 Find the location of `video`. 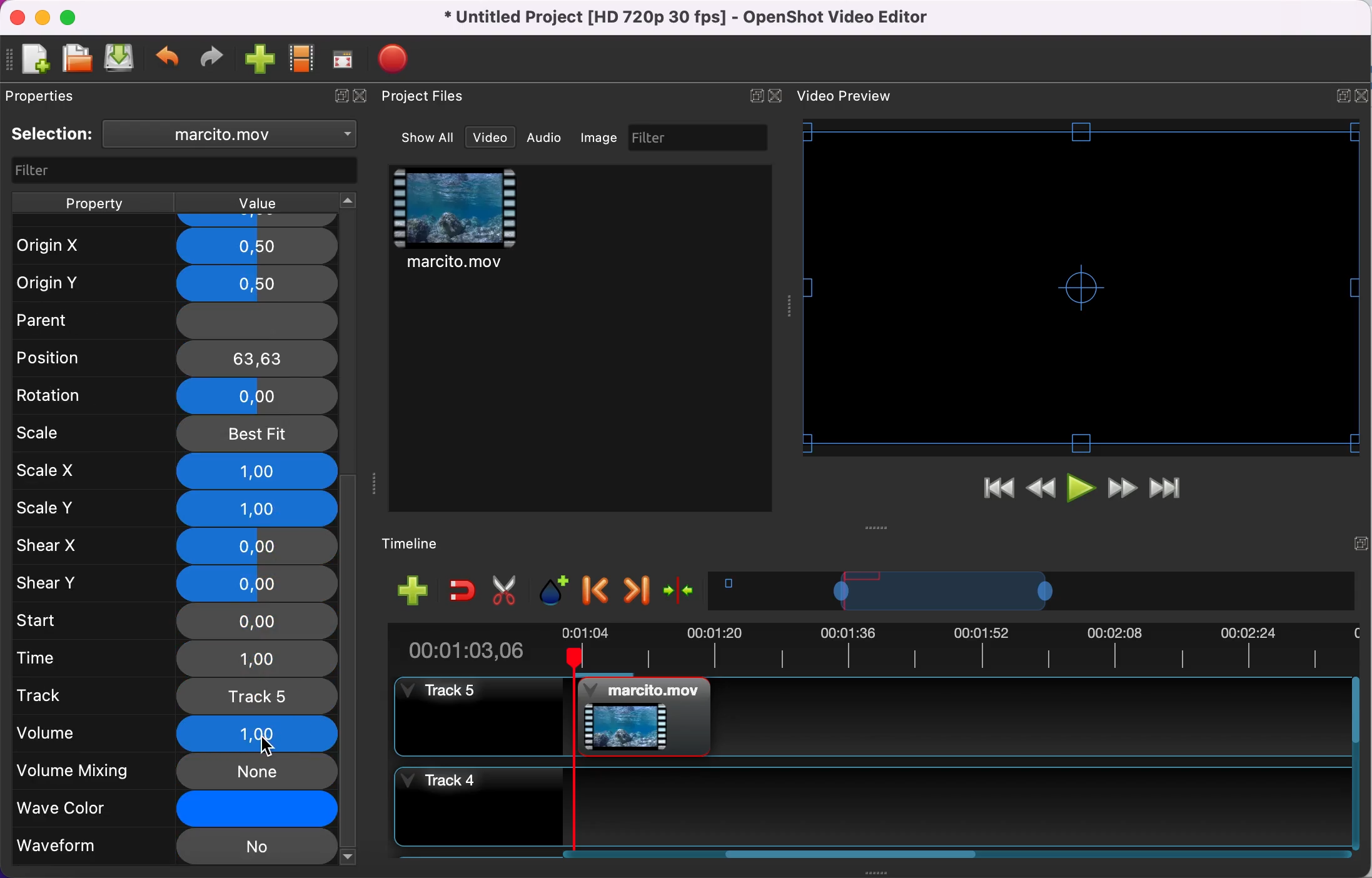

video is located at coordinates (490, 138).